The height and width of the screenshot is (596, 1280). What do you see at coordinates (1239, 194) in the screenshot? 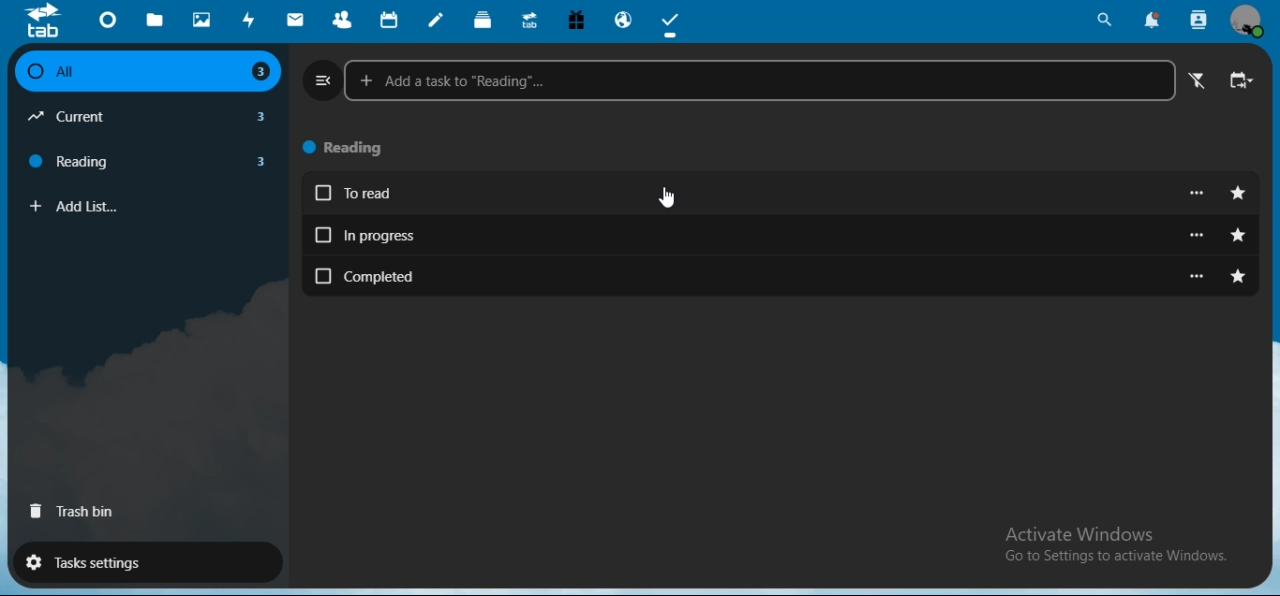
I see `toggle starred` at bounding box center [1239, 194].